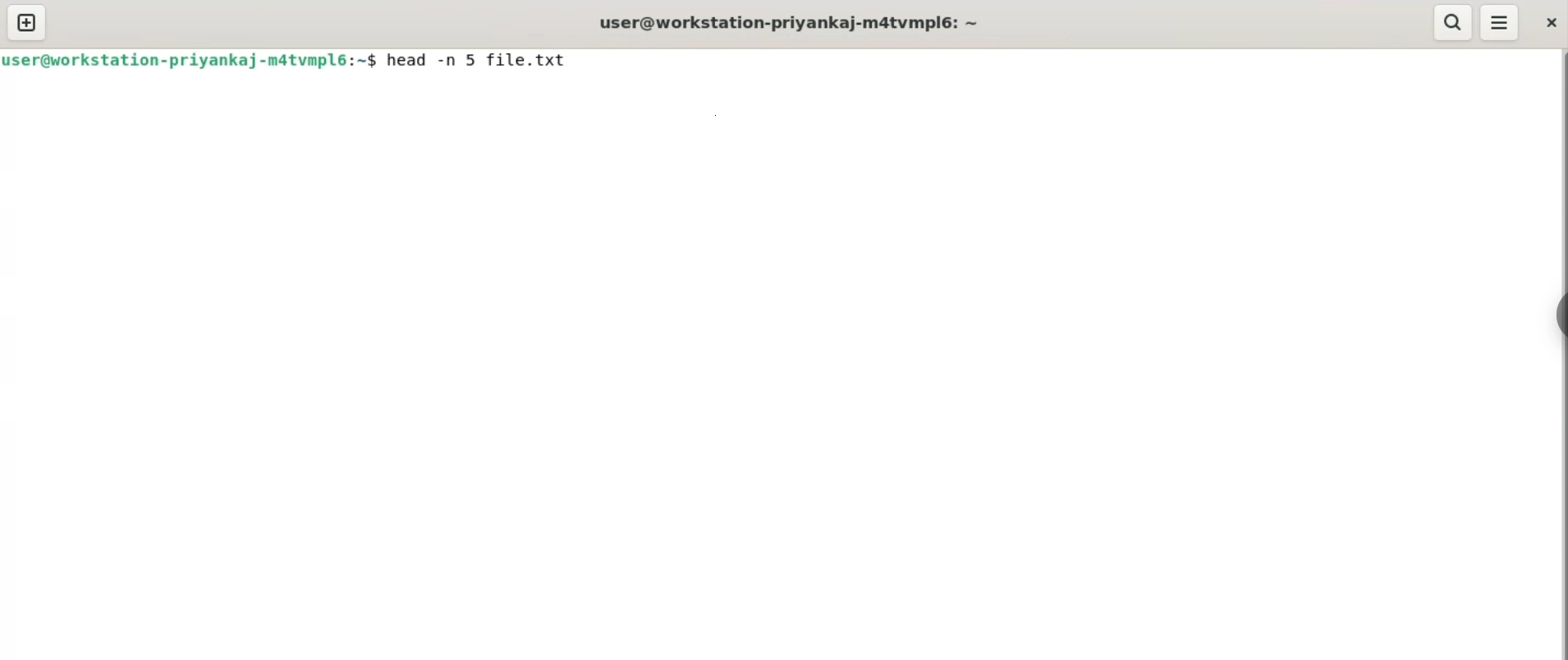  I want to click on close, so click(1548, 22).